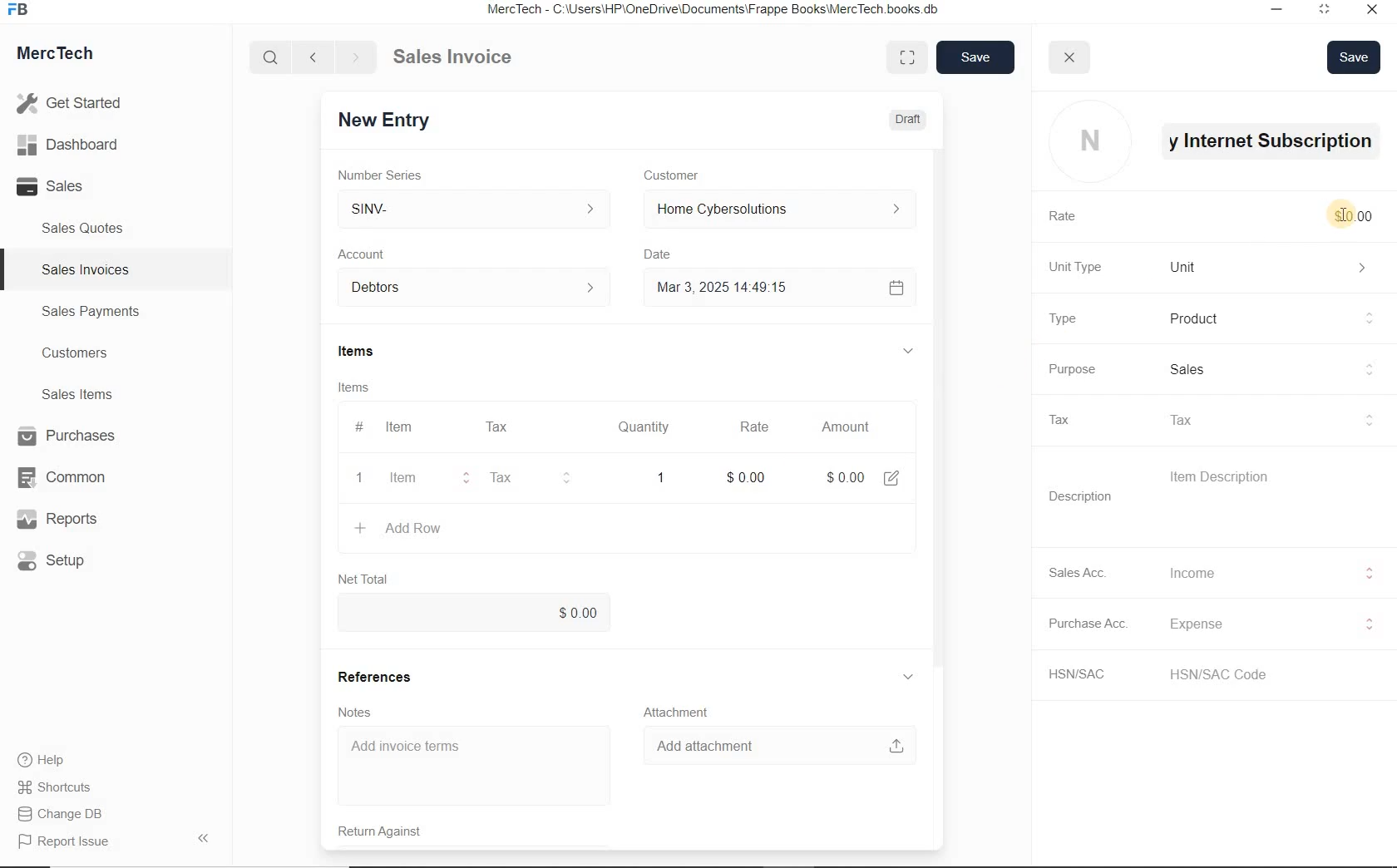 The width and height of the screenshot is (1397, 868). Describe the element at coordinates (474, 766) in the screenshot. I see `Add invoice terms` at that location.